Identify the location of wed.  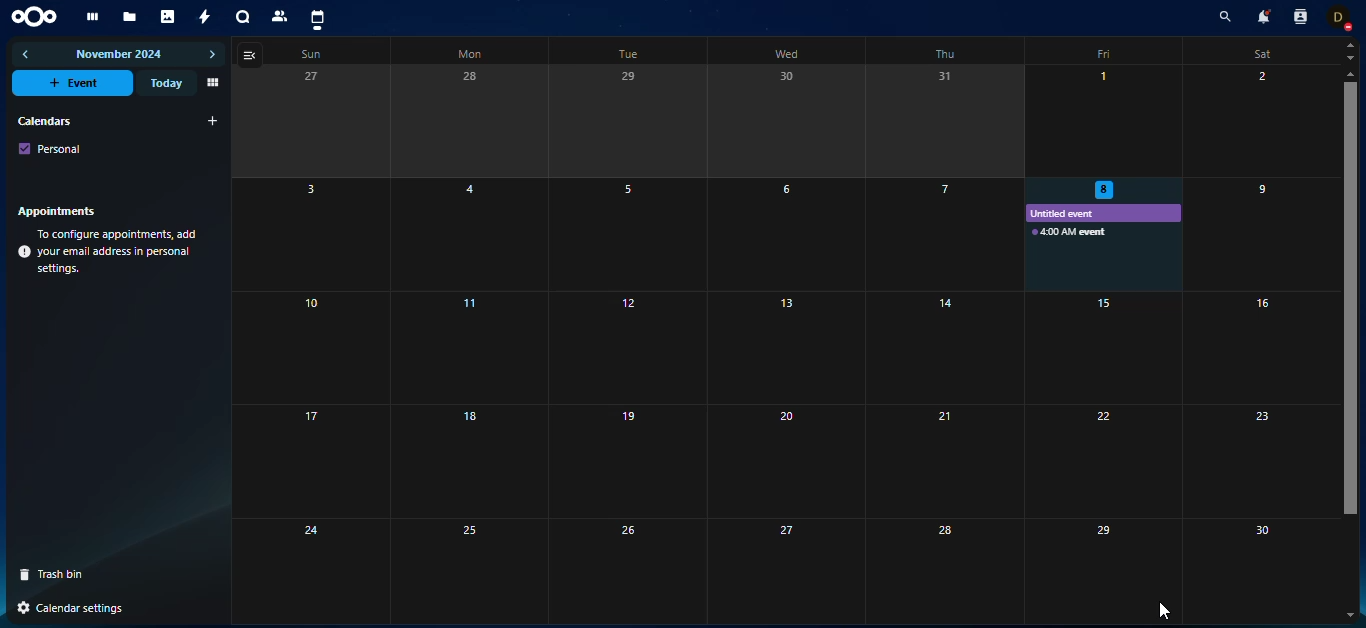
(787, 52).